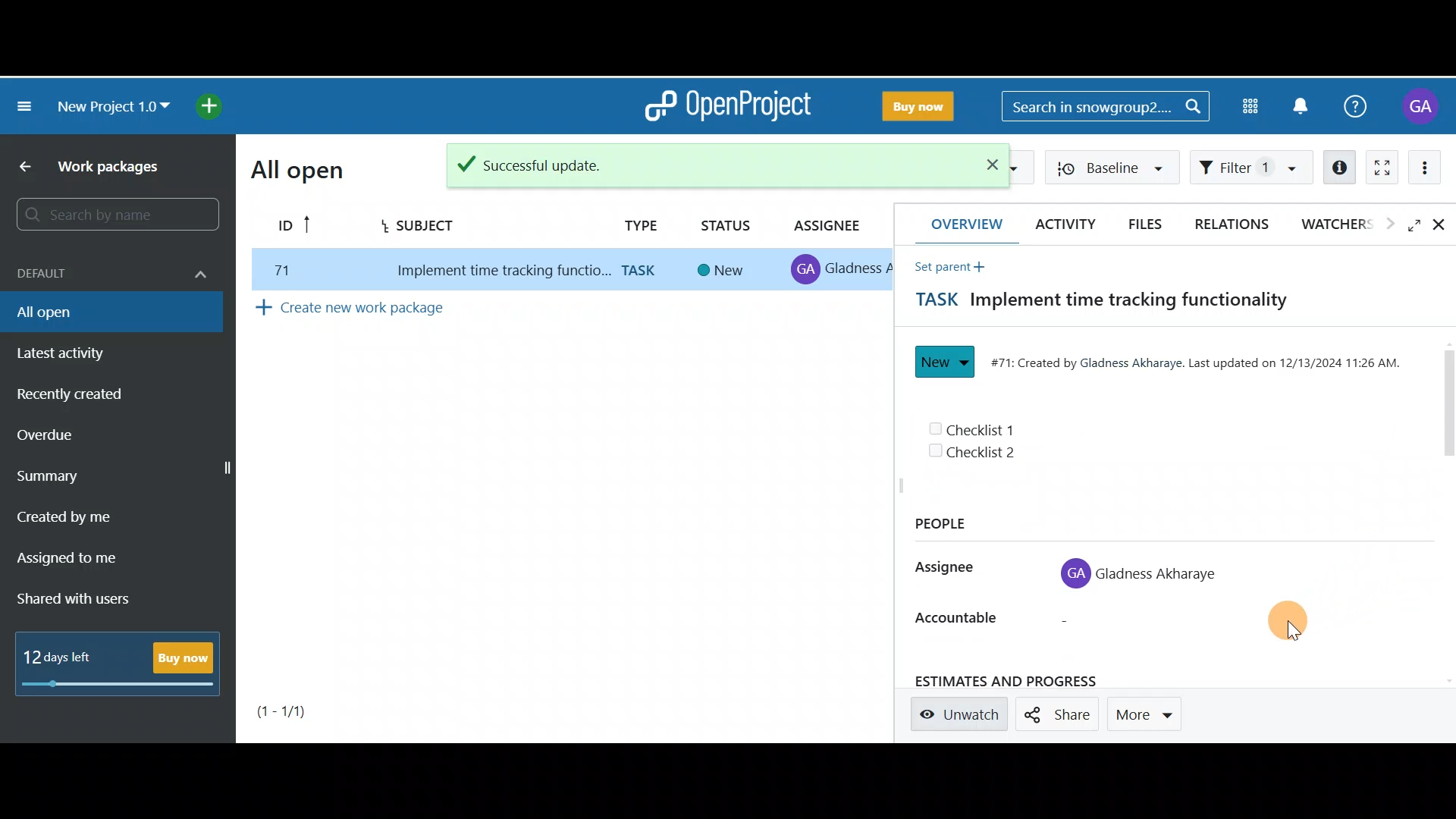 This screenshot has width=1456, height=819. What do you see at coordinates (1291, 630) in the screenshot?
I see `Cursor` at bounding box center [1291, 630].